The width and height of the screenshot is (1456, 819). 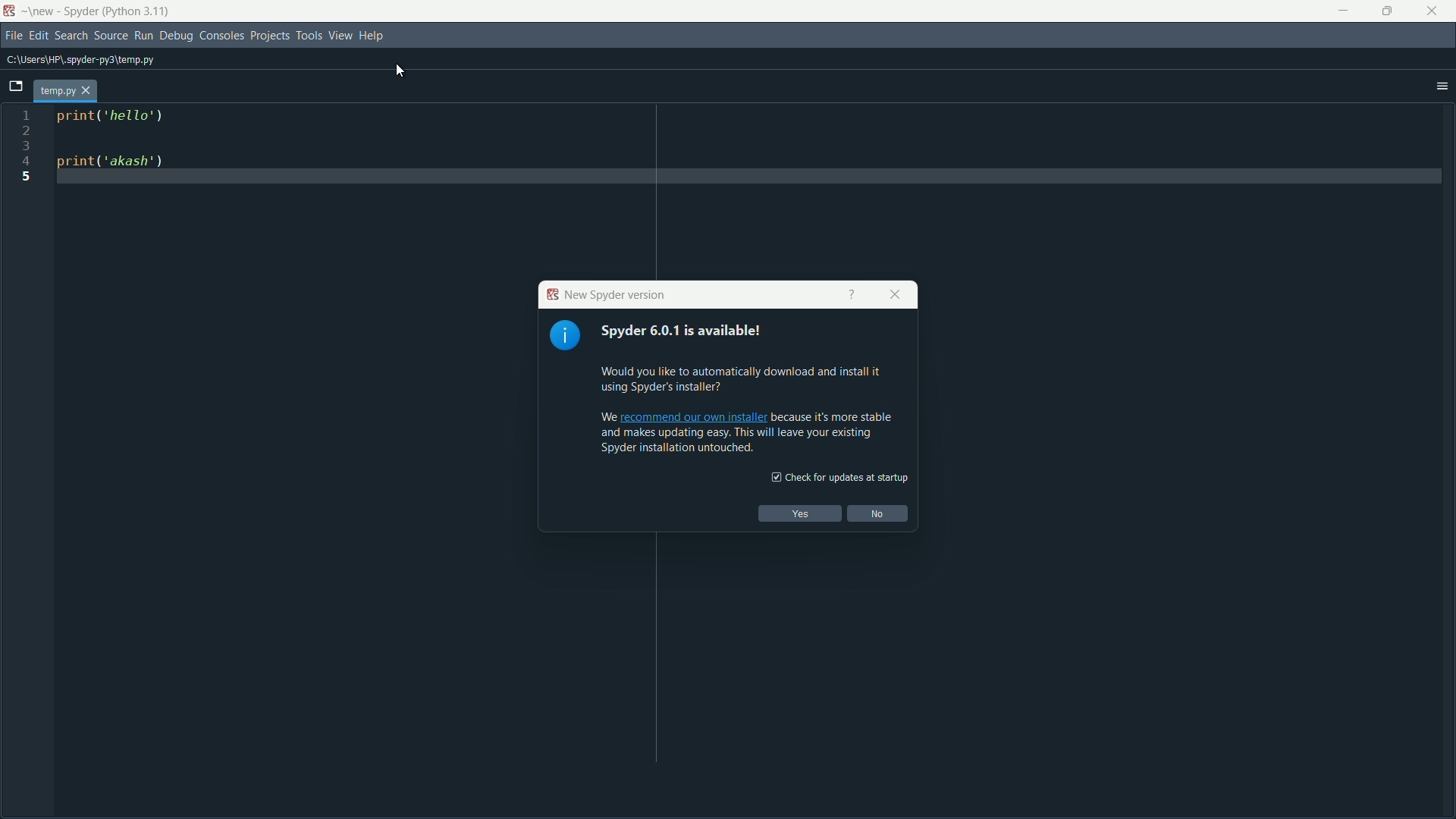 I want to click on line number, so click(x=27, y=147).